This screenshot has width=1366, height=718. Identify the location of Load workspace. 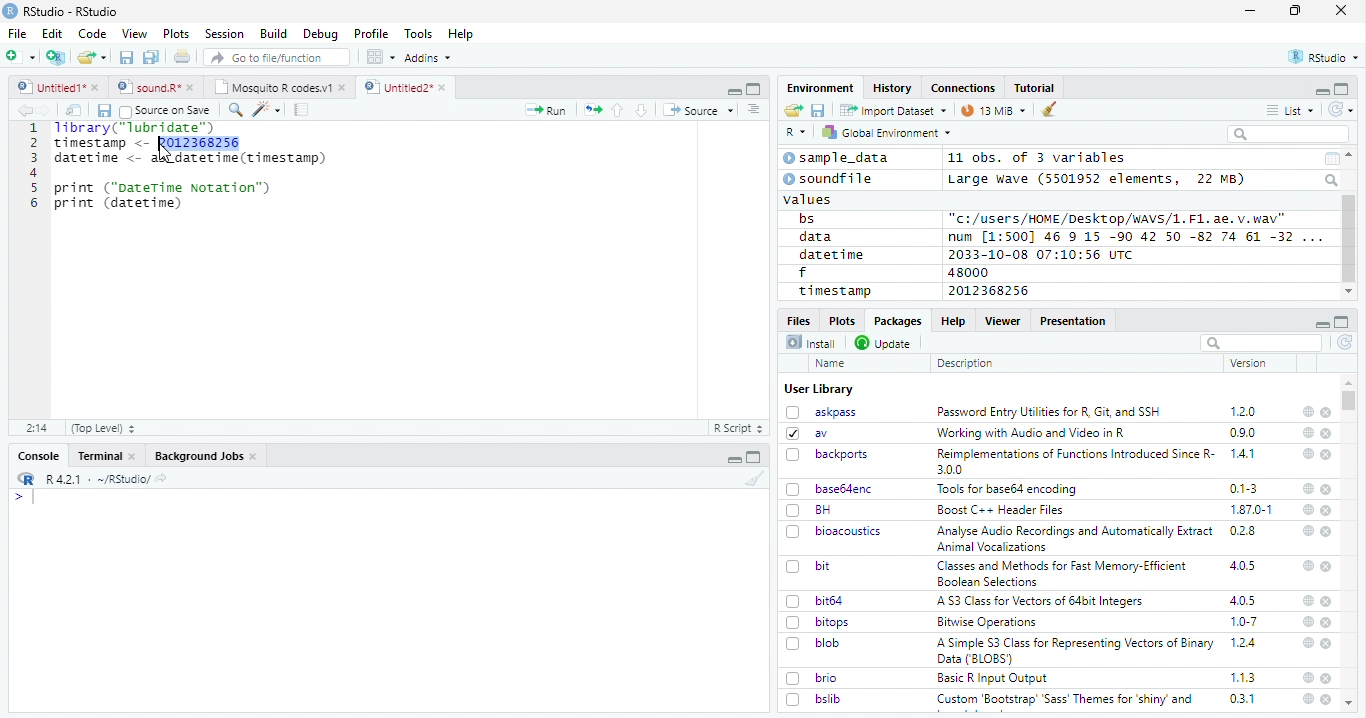
(794, 111).